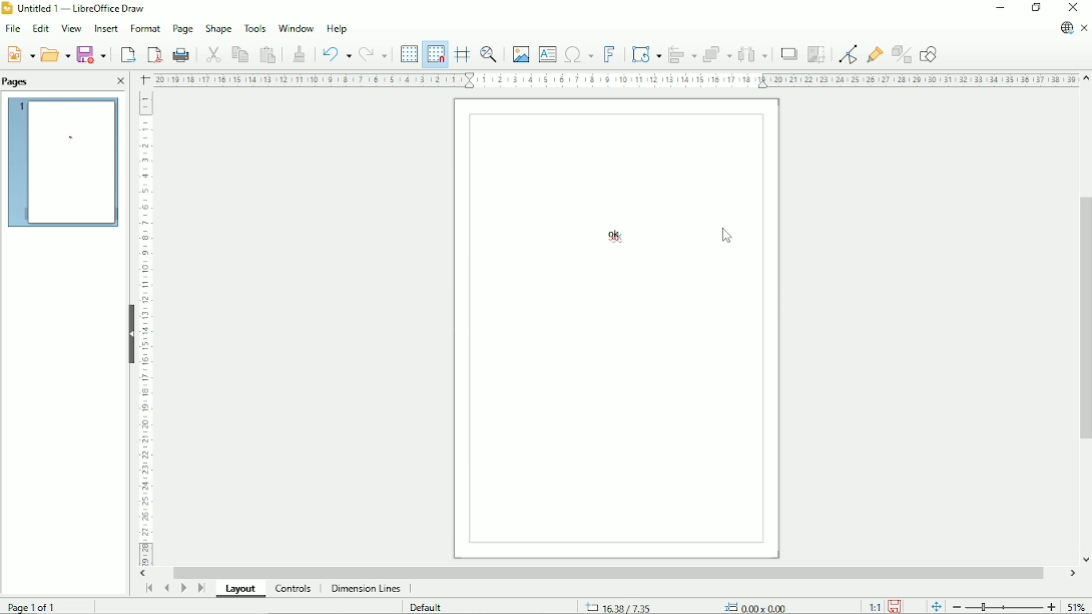 This screenshot has width=1092, height=614. What do you see at coordinates (69, 28) in the screenshot?
I see `View` at bounding box center [69, 28].